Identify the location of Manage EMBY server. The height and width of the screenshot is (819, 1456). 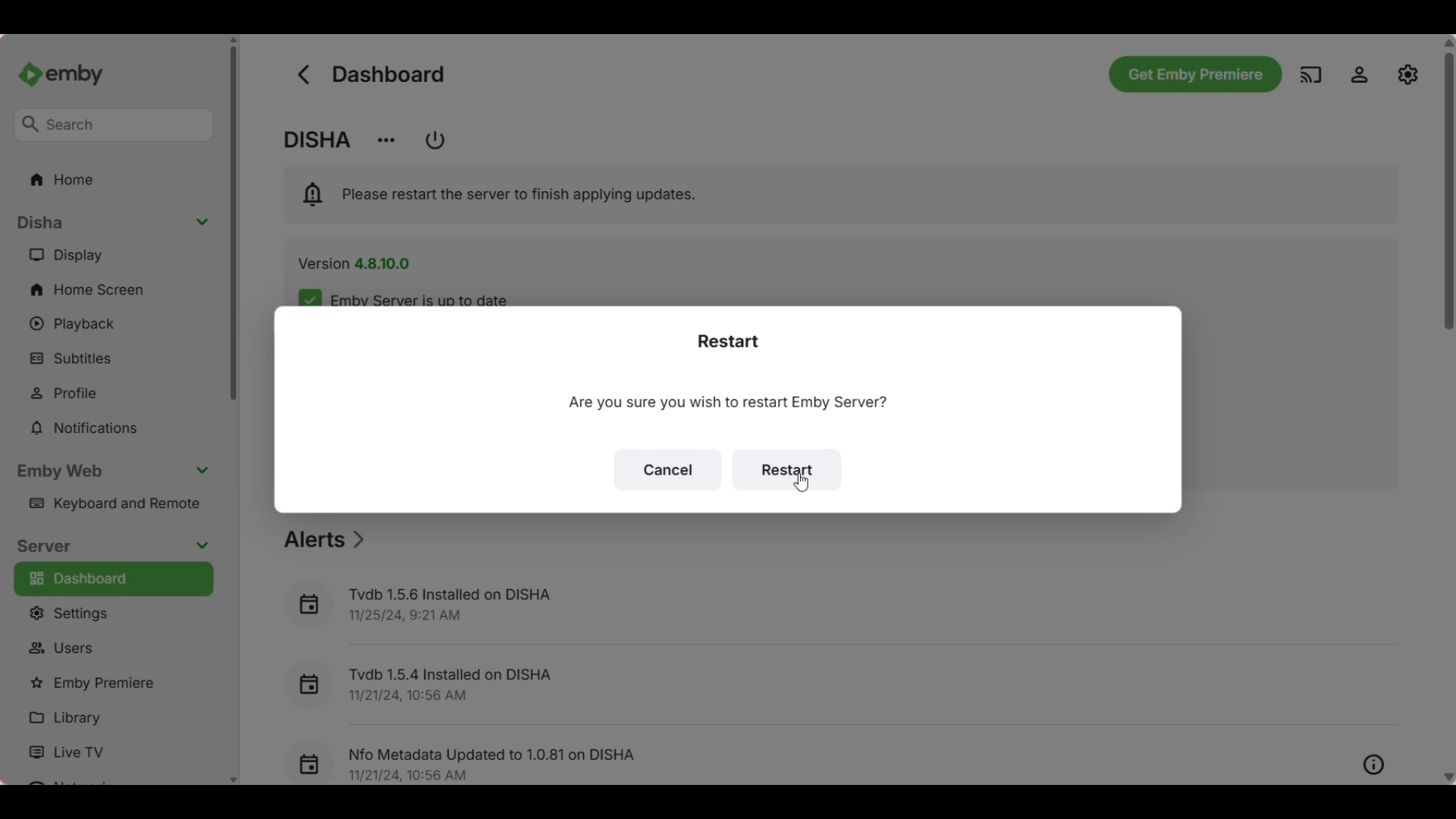
(1408, 74).